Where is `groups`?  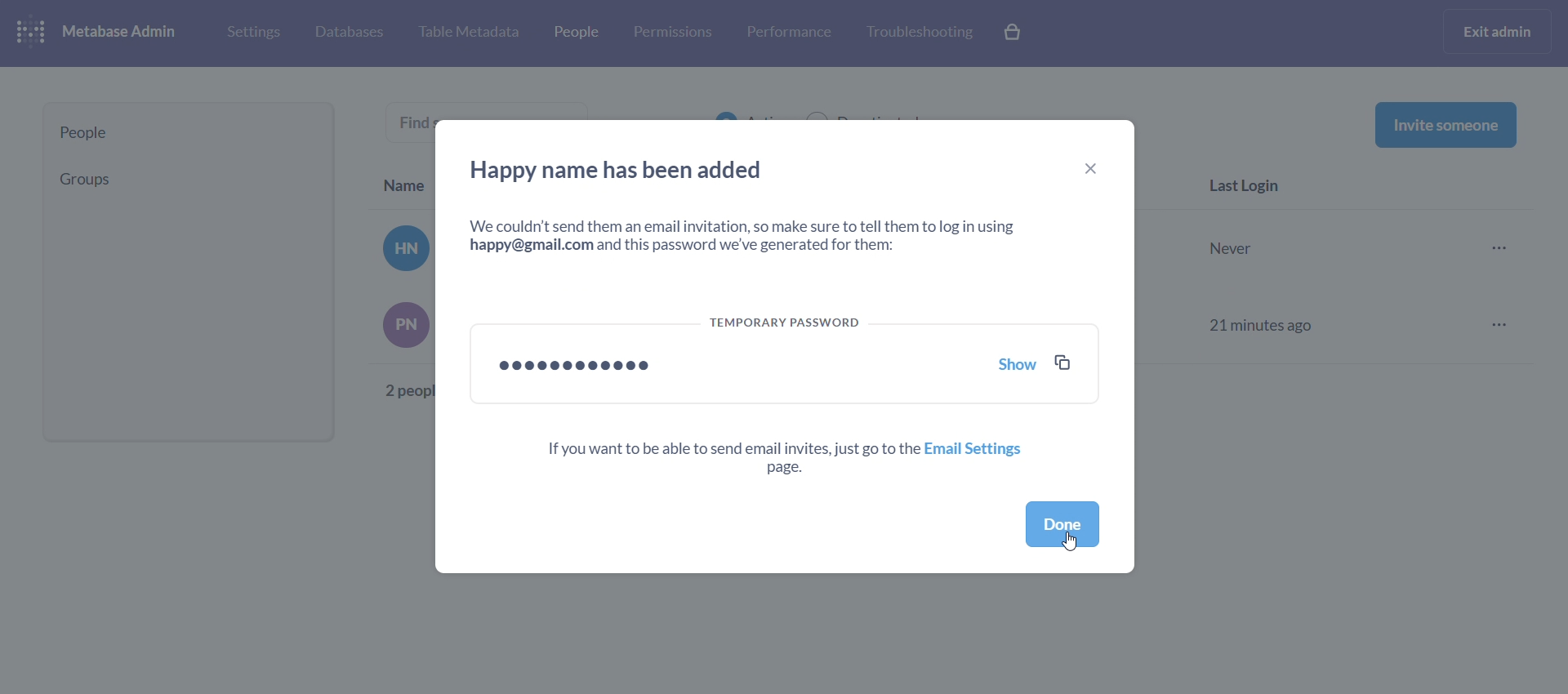
groups is located at coordinates (182, 179).